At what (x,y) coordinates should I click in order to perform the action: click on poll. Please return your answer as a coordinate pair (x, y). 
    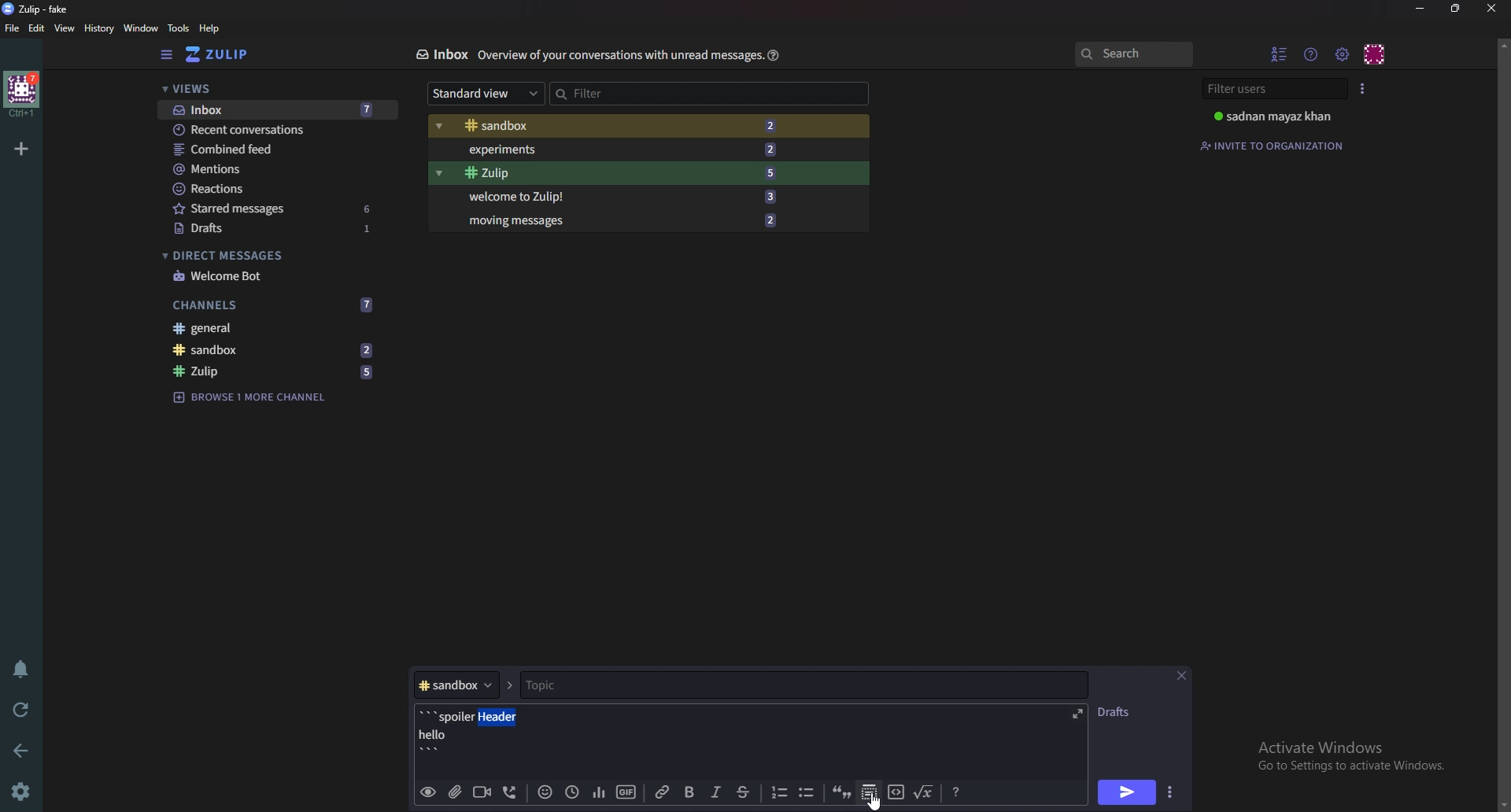
    Looking at the image, I should click on (601, 792).